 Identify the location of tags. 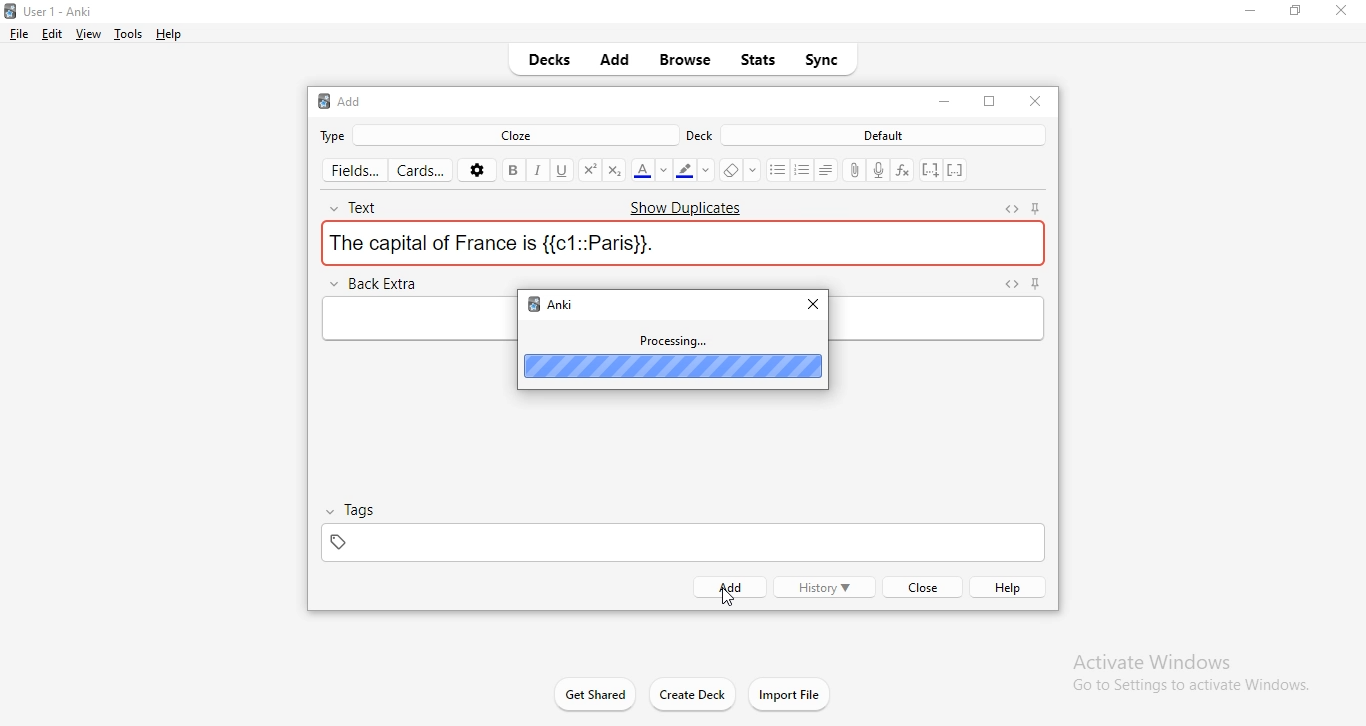
(359, 509).